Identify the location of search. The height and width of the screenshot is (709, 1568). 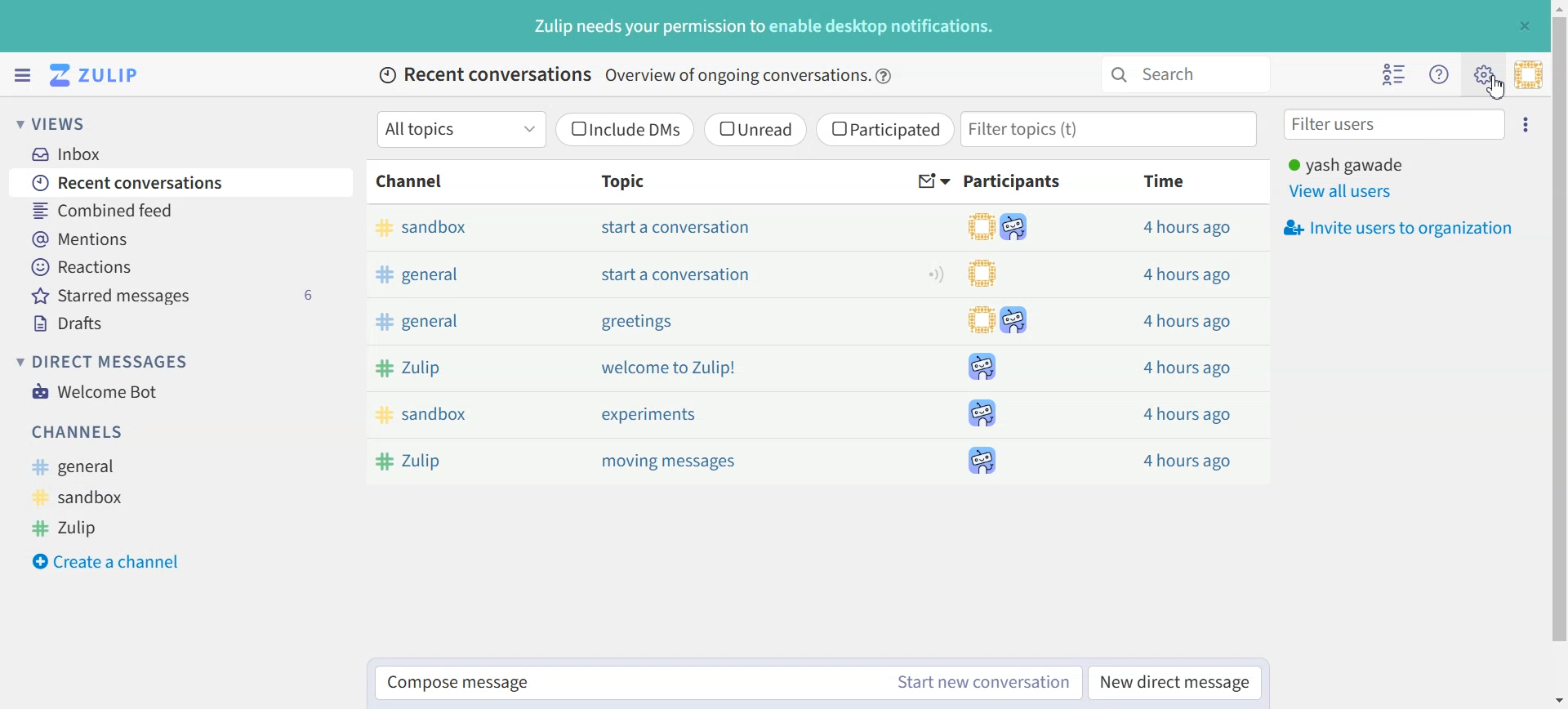
(1183, 74).